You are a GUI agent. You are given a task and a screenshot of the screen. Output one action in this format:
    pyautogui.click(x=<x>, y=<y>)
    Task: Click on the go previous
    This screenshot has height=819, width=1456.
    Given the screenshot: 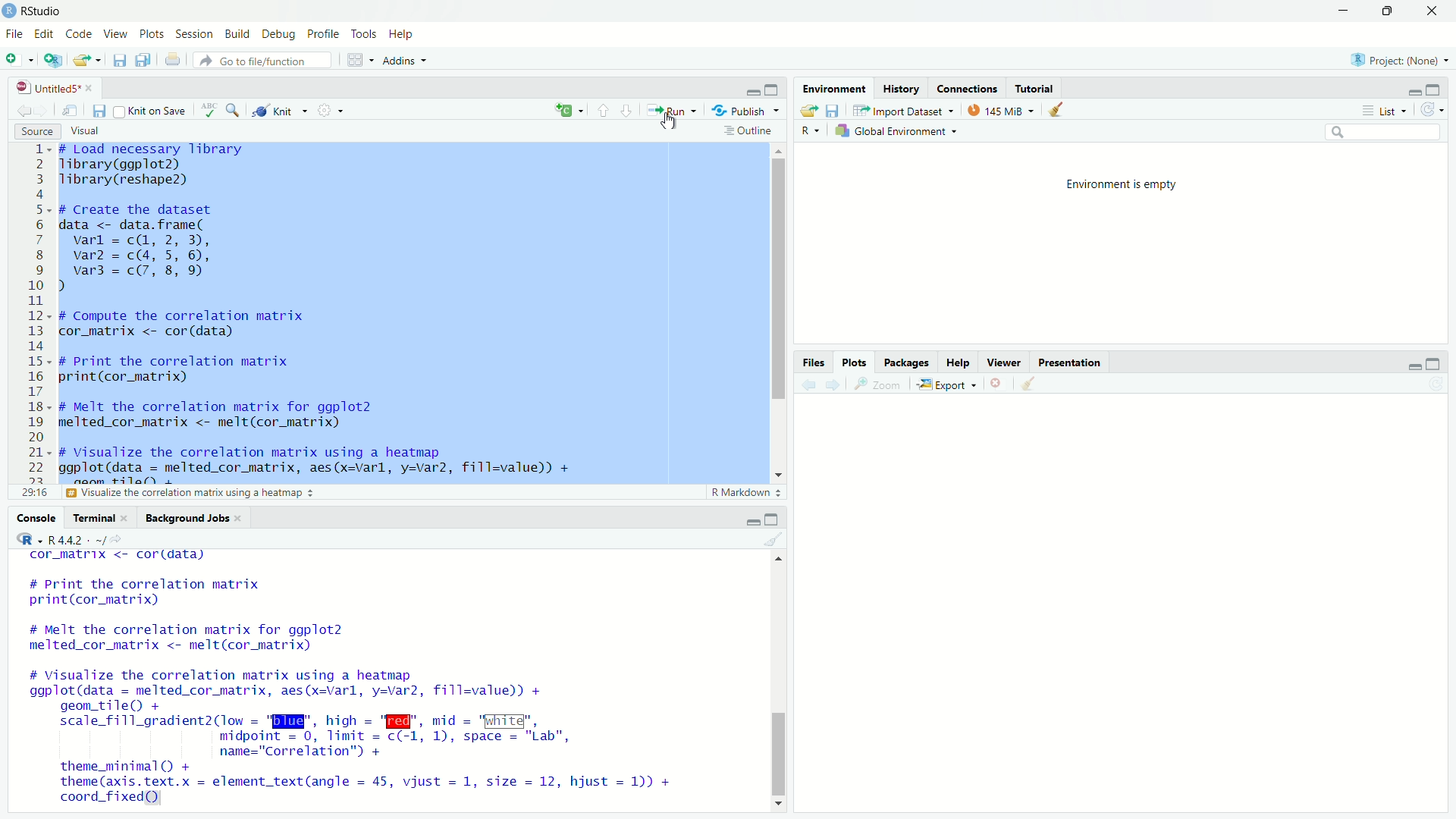 What is the action you would take?
    pyautogui.click(x=24, y=109)
    